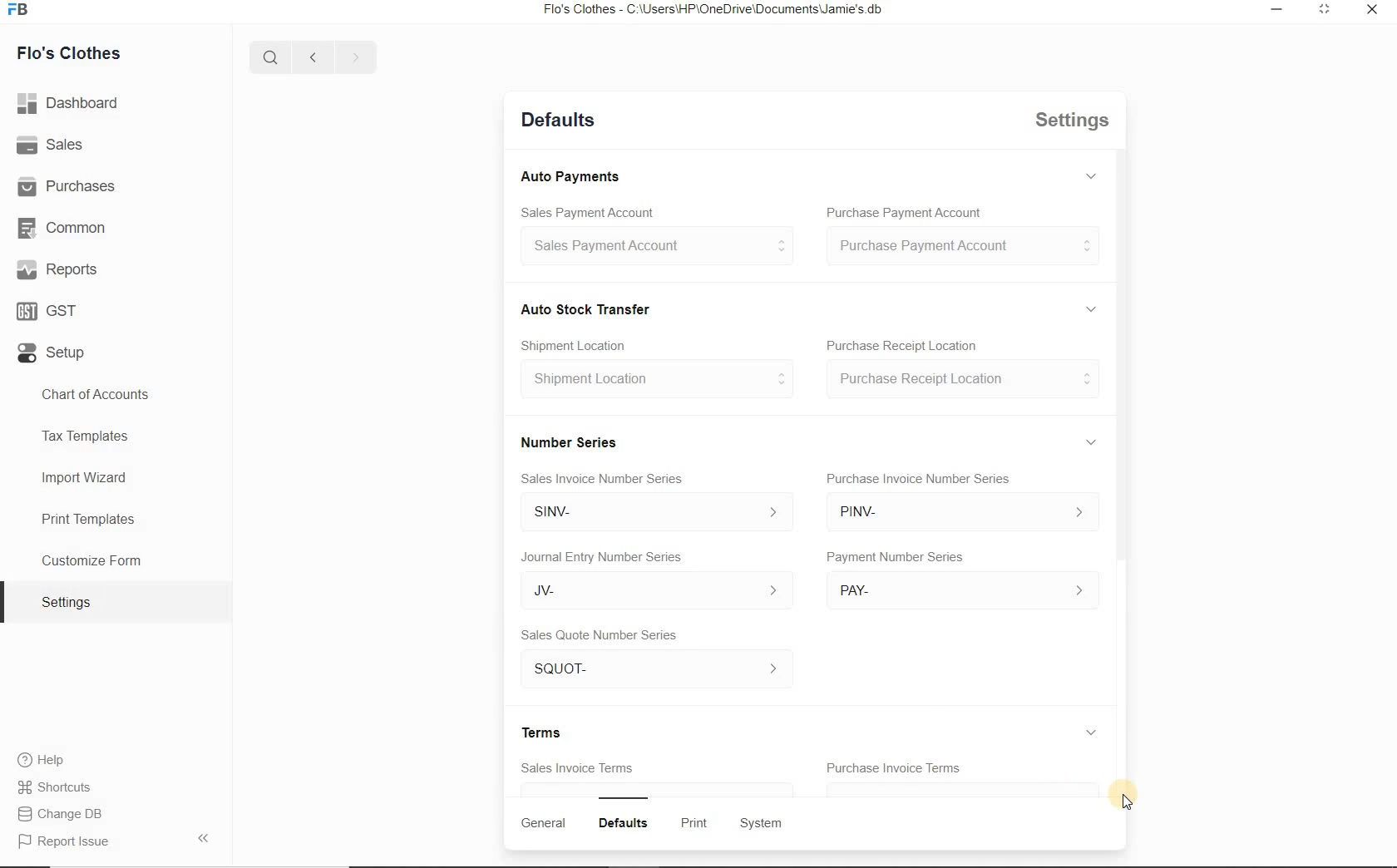 The width and height of the screenshot is (1397, 868). What do you see at coordinates (558, 118) in the screenshot?
I see `Defaults` at bounding box center [558, 118].